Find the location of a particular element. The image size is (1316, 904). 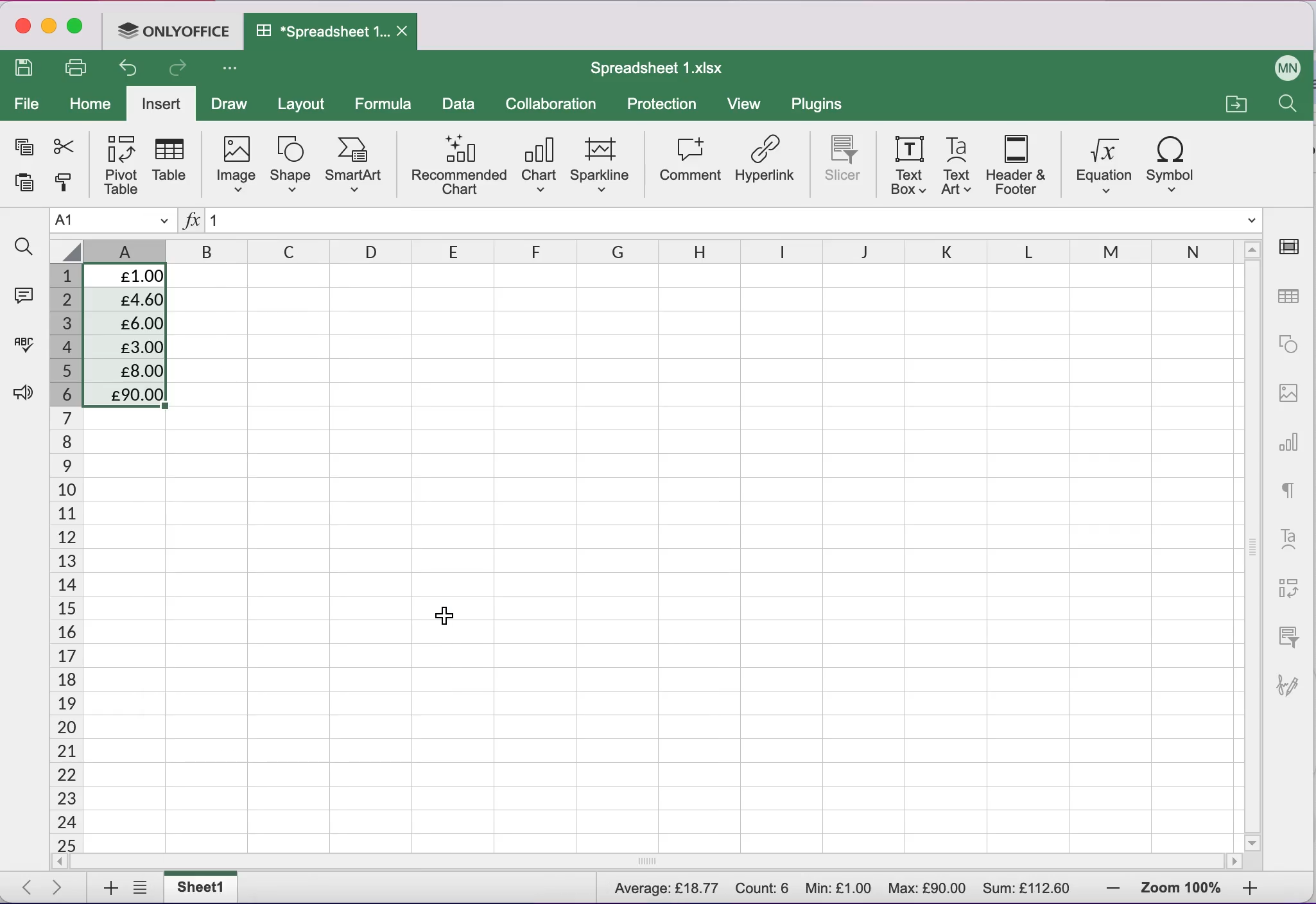

image is located at coordinates (235, 166).